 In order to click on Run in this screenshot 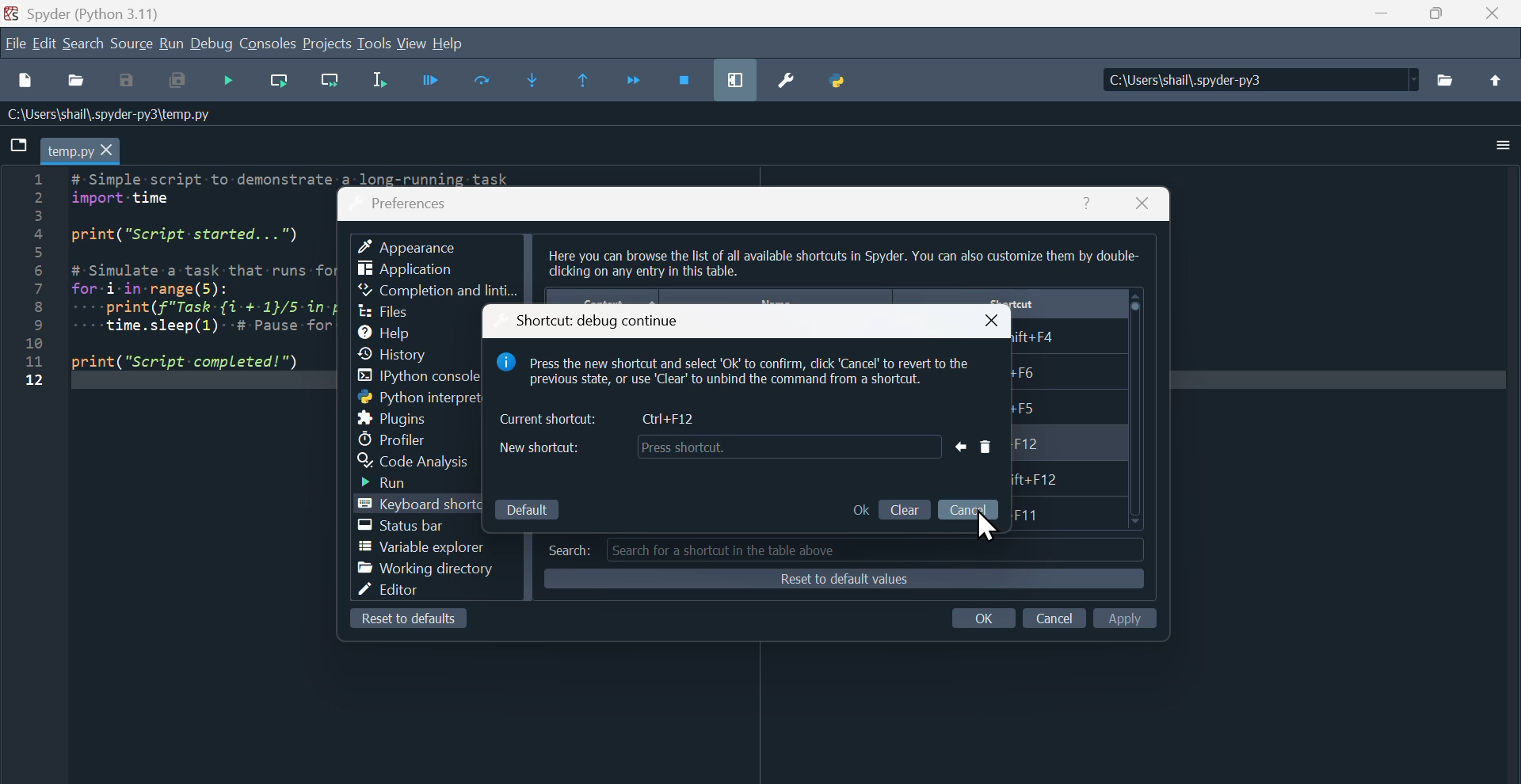, I will do `click(400, 482)`.